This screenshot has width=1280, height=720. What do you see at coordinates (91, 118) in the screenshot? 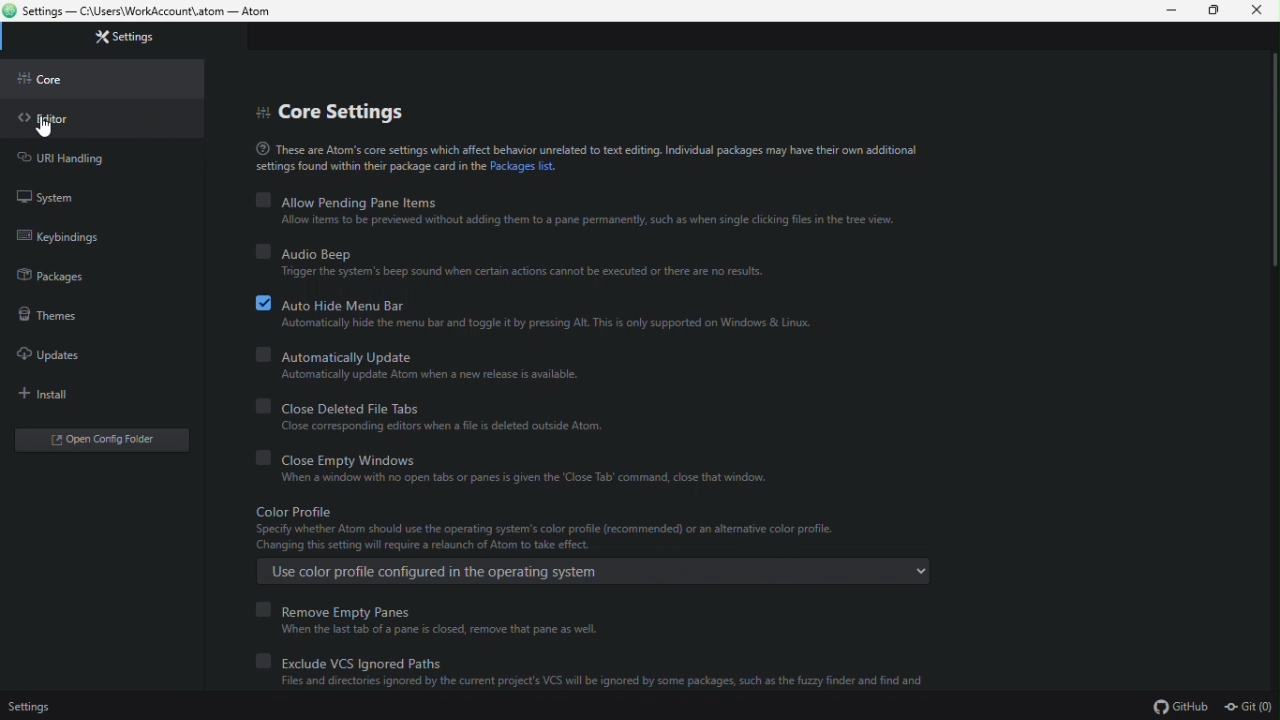
I see `editor` at bounding box center [91, 118].